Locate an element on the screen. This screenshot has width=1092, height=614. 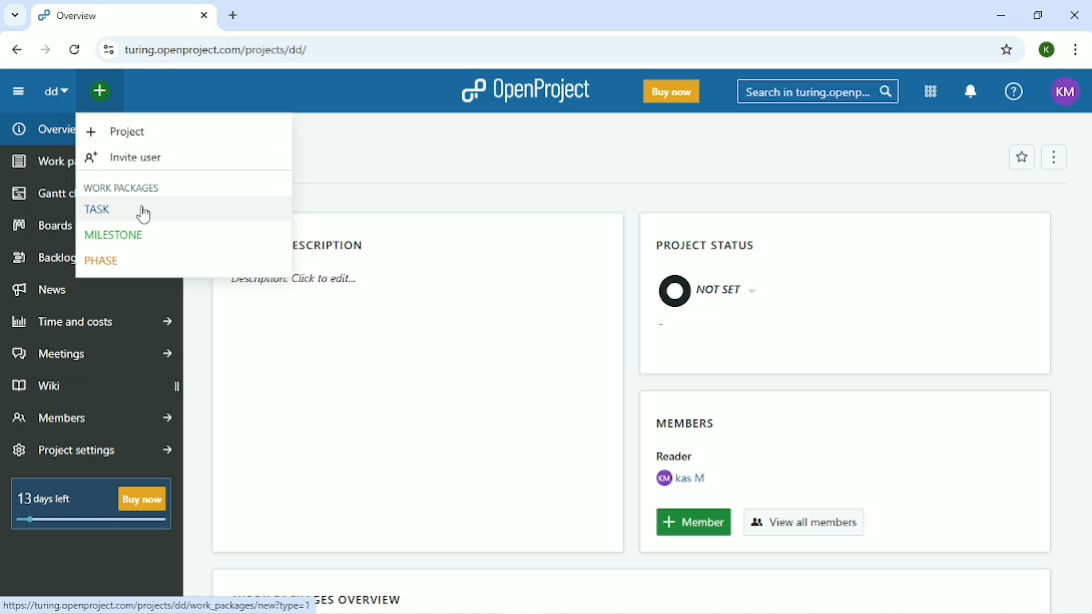
Not Set is located at coordinates (708, 289).